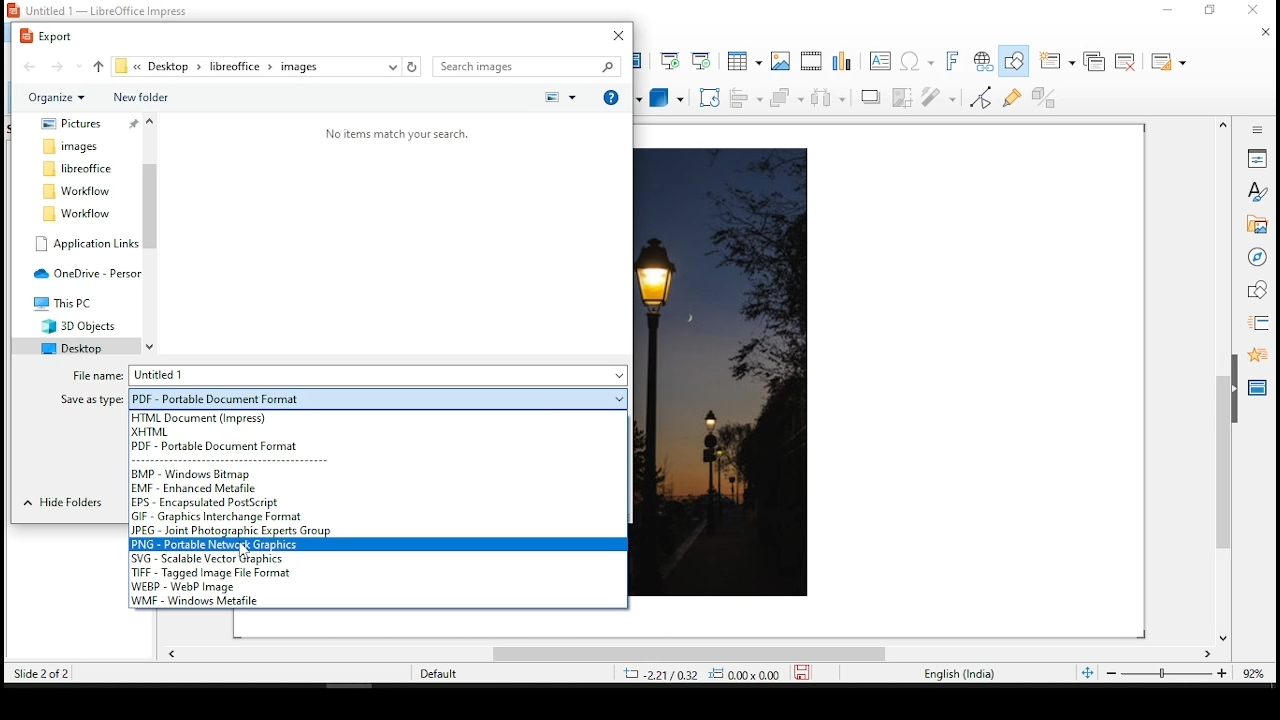 This screenshot has height=720, width=1280. I want to click on xhtml, so click(172, 432).